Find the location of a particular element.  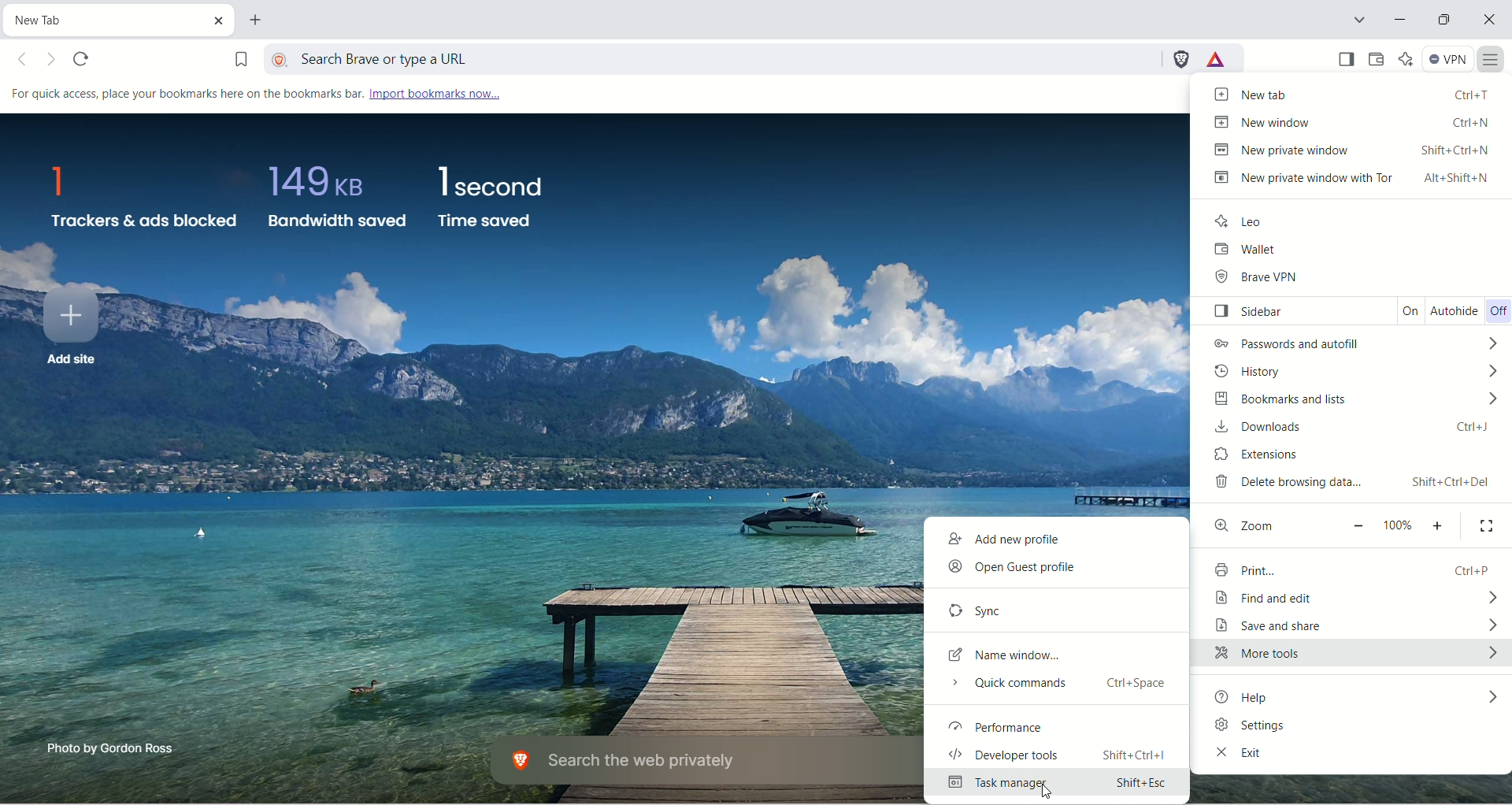

brave VPN is located at coordinates (1357, 280).